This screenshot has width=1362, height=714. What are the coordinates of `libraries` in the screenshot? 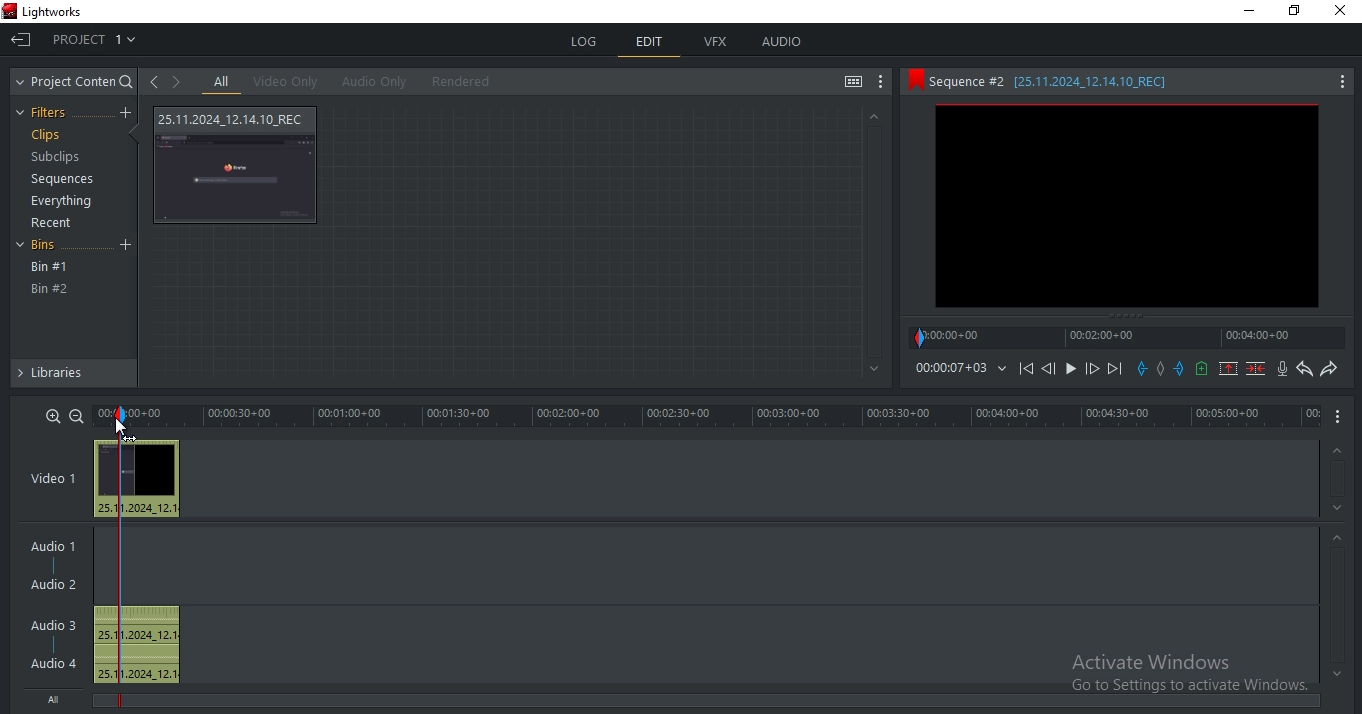 It's located at (72, 377).